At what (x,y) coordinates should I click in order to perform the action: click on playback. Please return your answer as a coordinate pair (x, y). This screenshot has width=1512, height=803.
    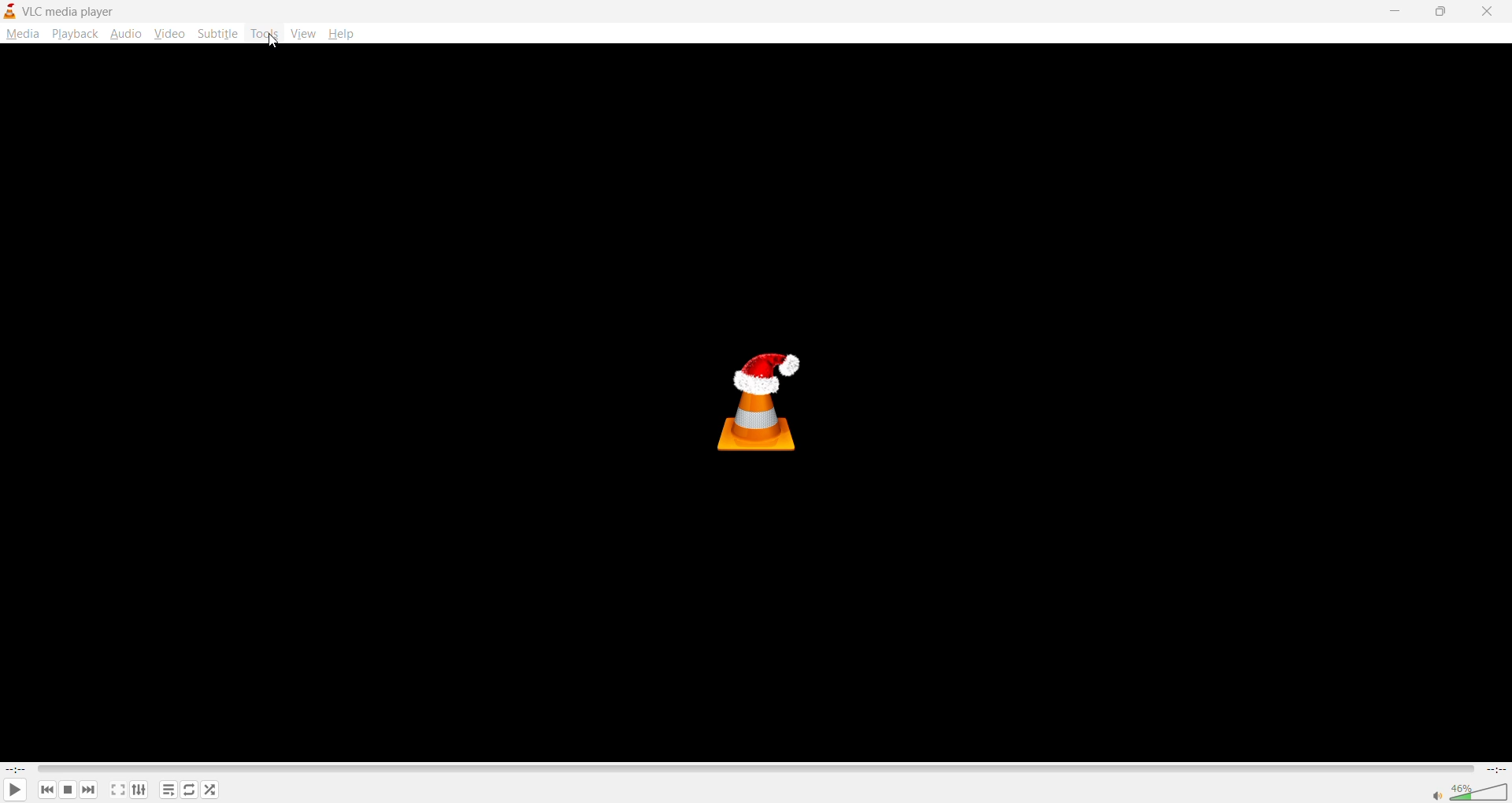
    Looking at the image, I should click on (75, 34).